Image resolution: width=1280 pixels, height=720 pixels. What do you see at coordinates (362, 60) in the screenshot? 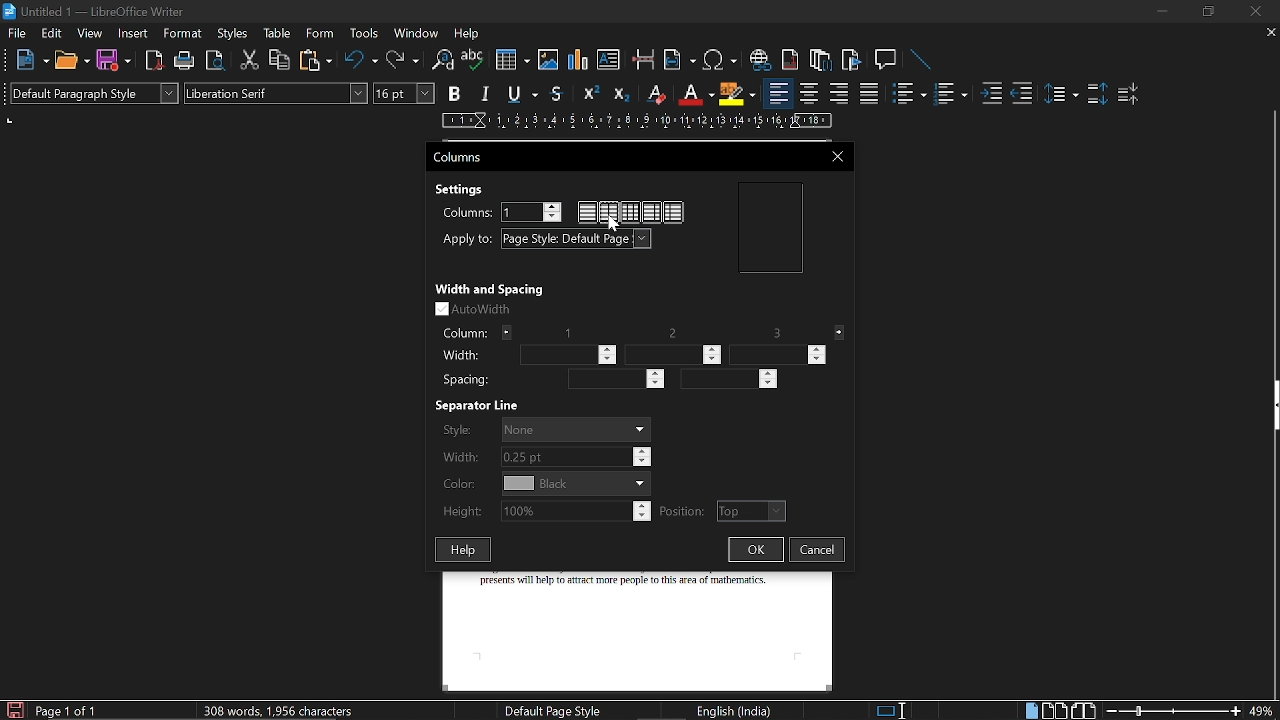
I see `Undo` at bounding box center [362, 60].